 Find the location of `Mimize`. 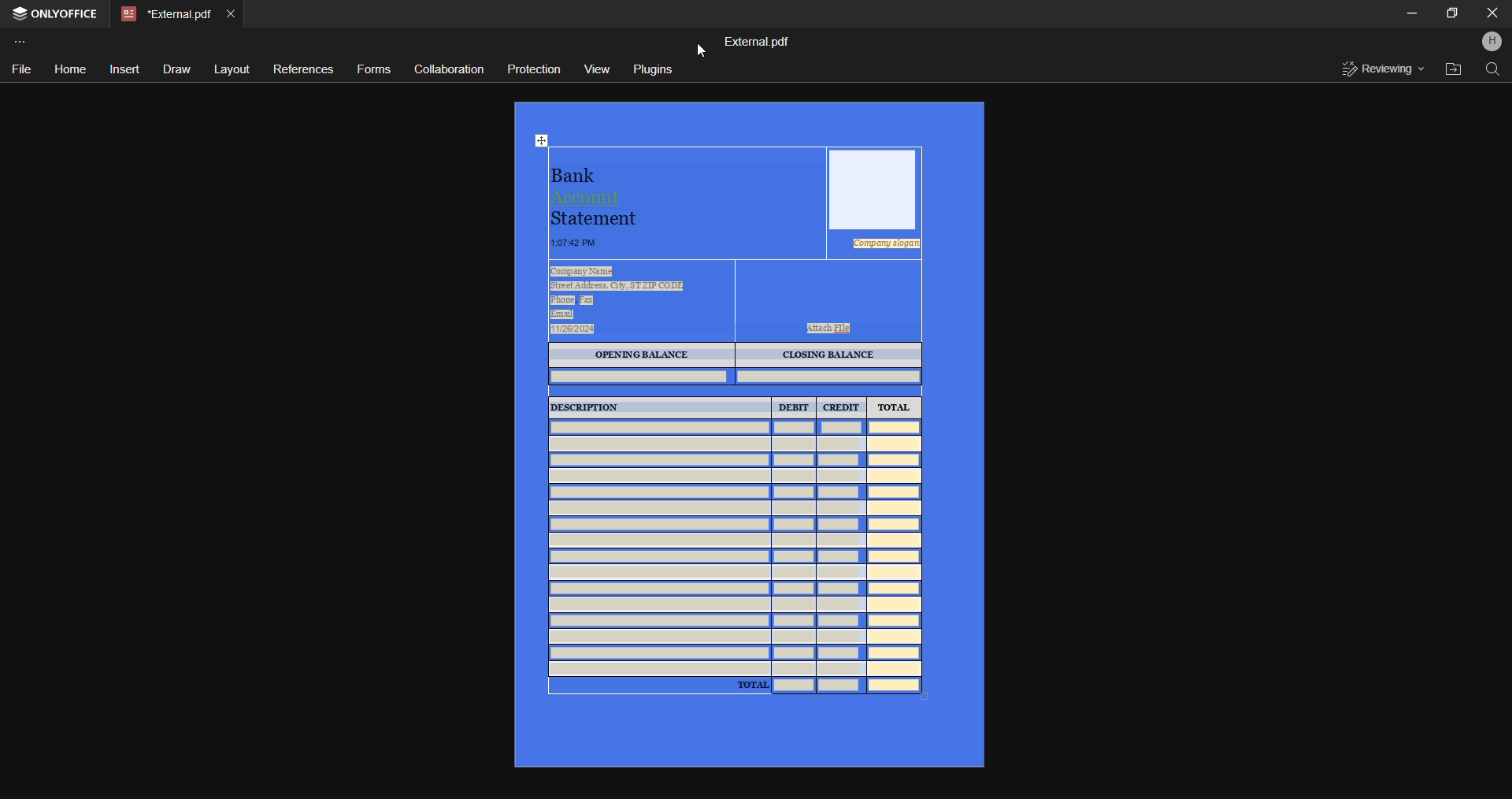

Mimize is located at coordinates (1412, 13).